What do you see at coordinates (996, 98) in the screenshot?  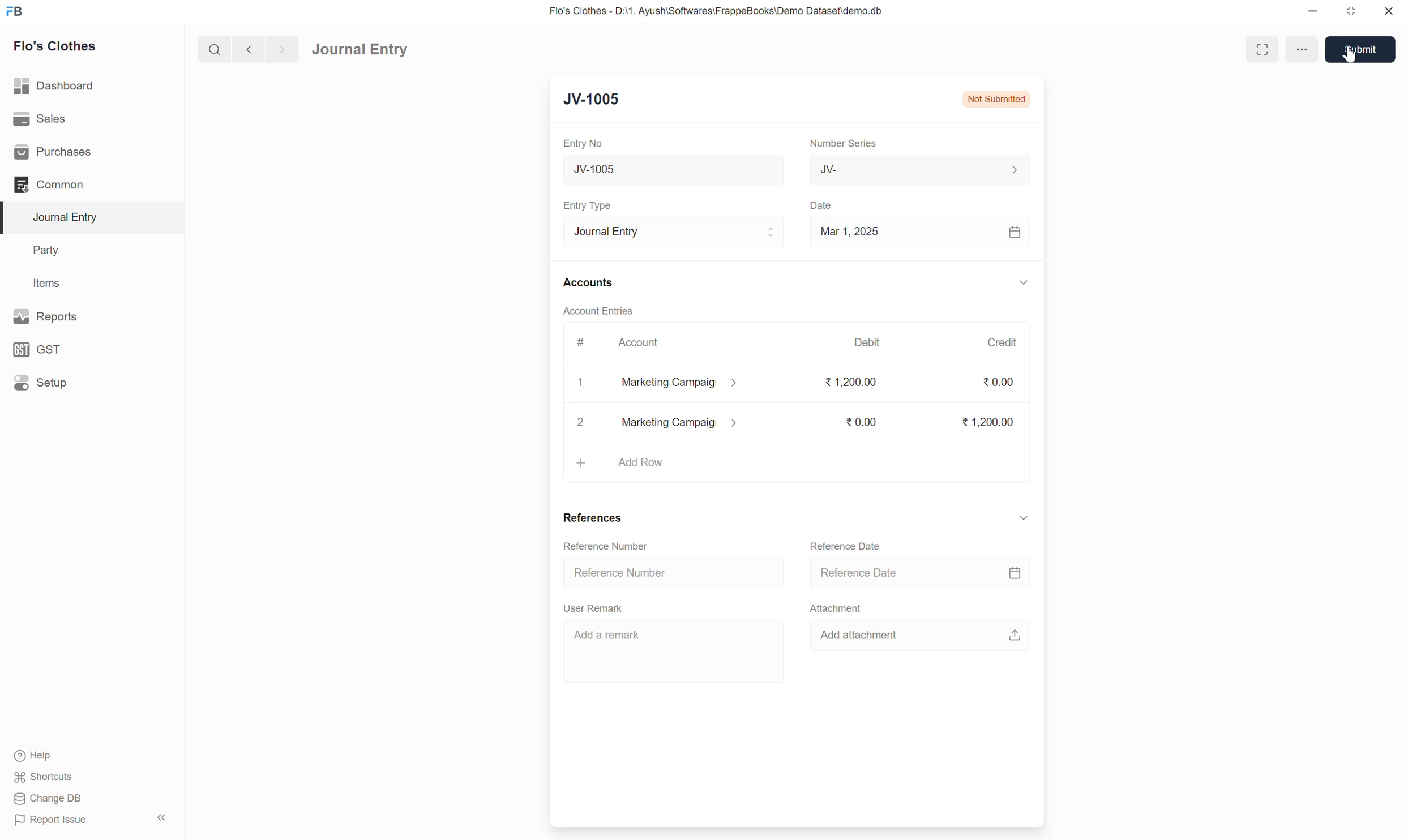 I see `not submitted` at bounding box center [996, 98].